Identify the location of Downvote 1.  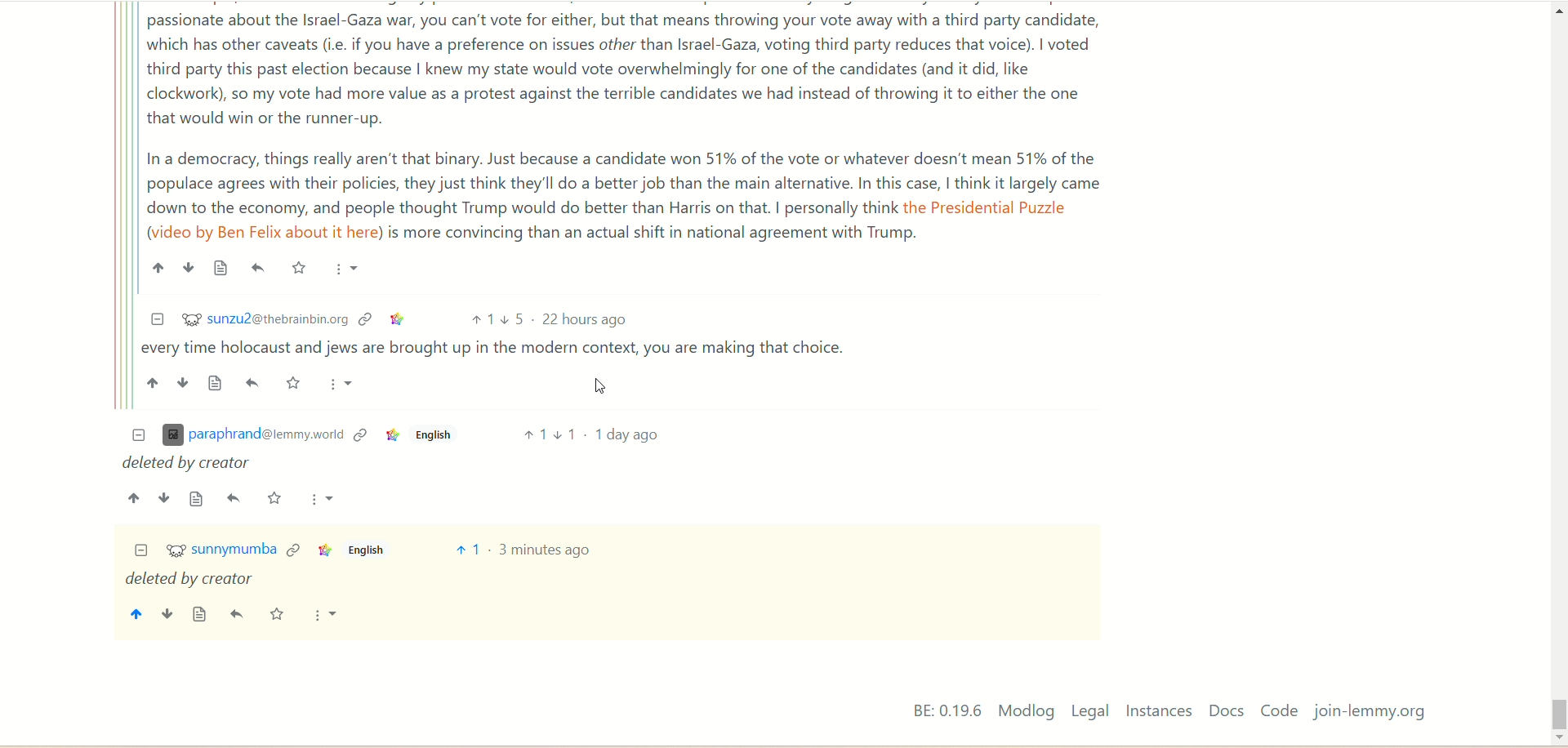
(566, 434).